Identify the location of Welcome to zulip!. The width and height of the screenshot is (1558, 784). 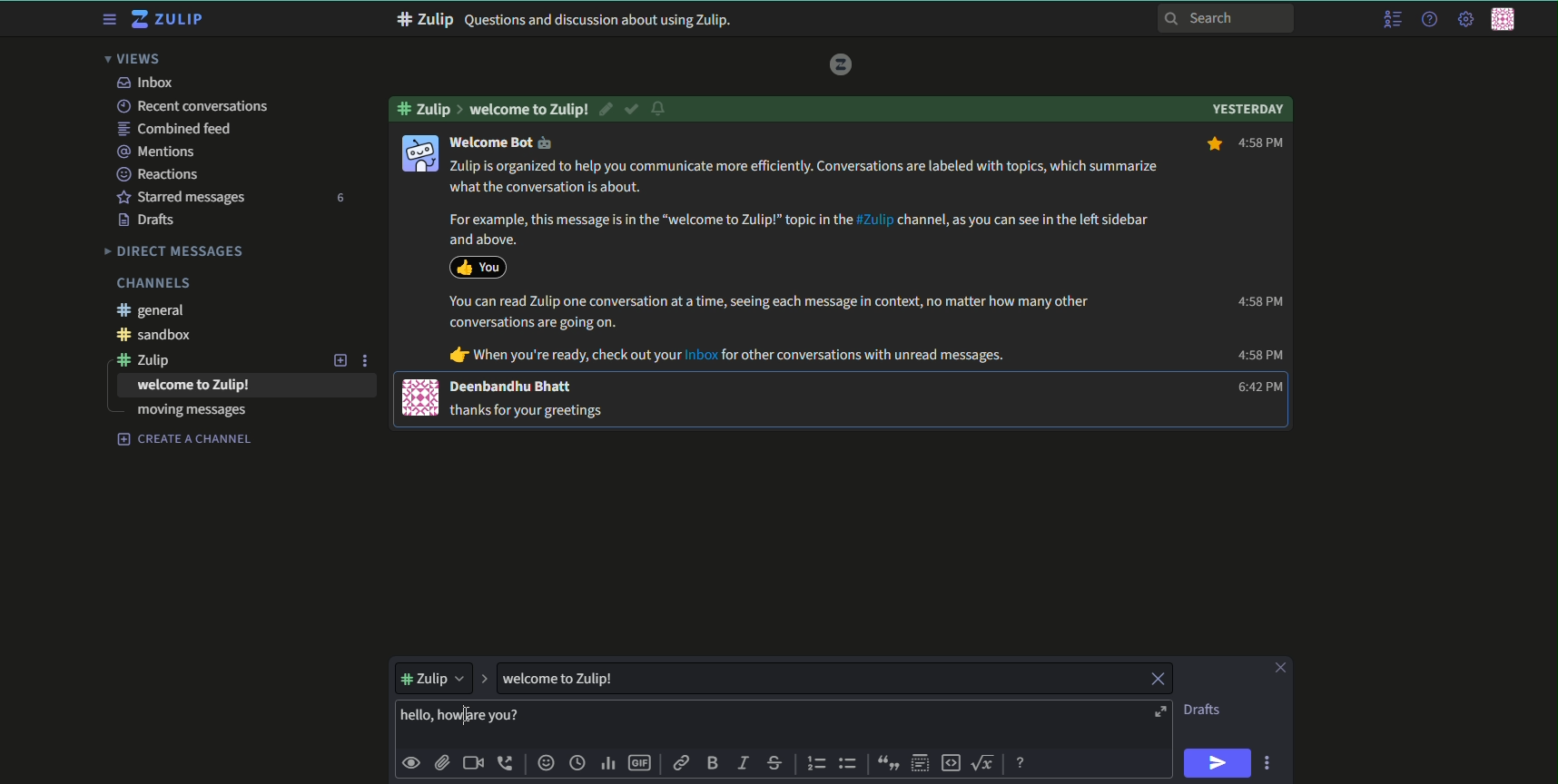
(529, 109).